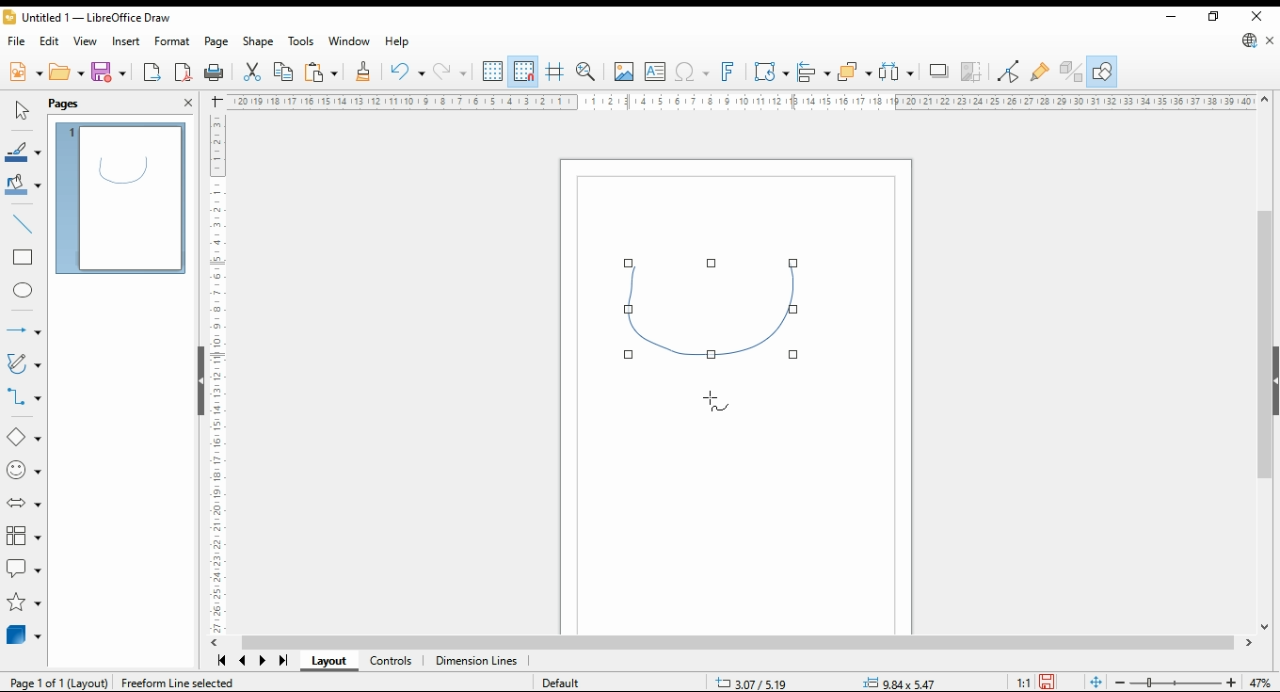 Image resolution: width=1280 pixels, height=692 pixels. What do you see at coordinates (854, 71) in the screenshot?
I see `arrange` at bounding box center [854, 71].